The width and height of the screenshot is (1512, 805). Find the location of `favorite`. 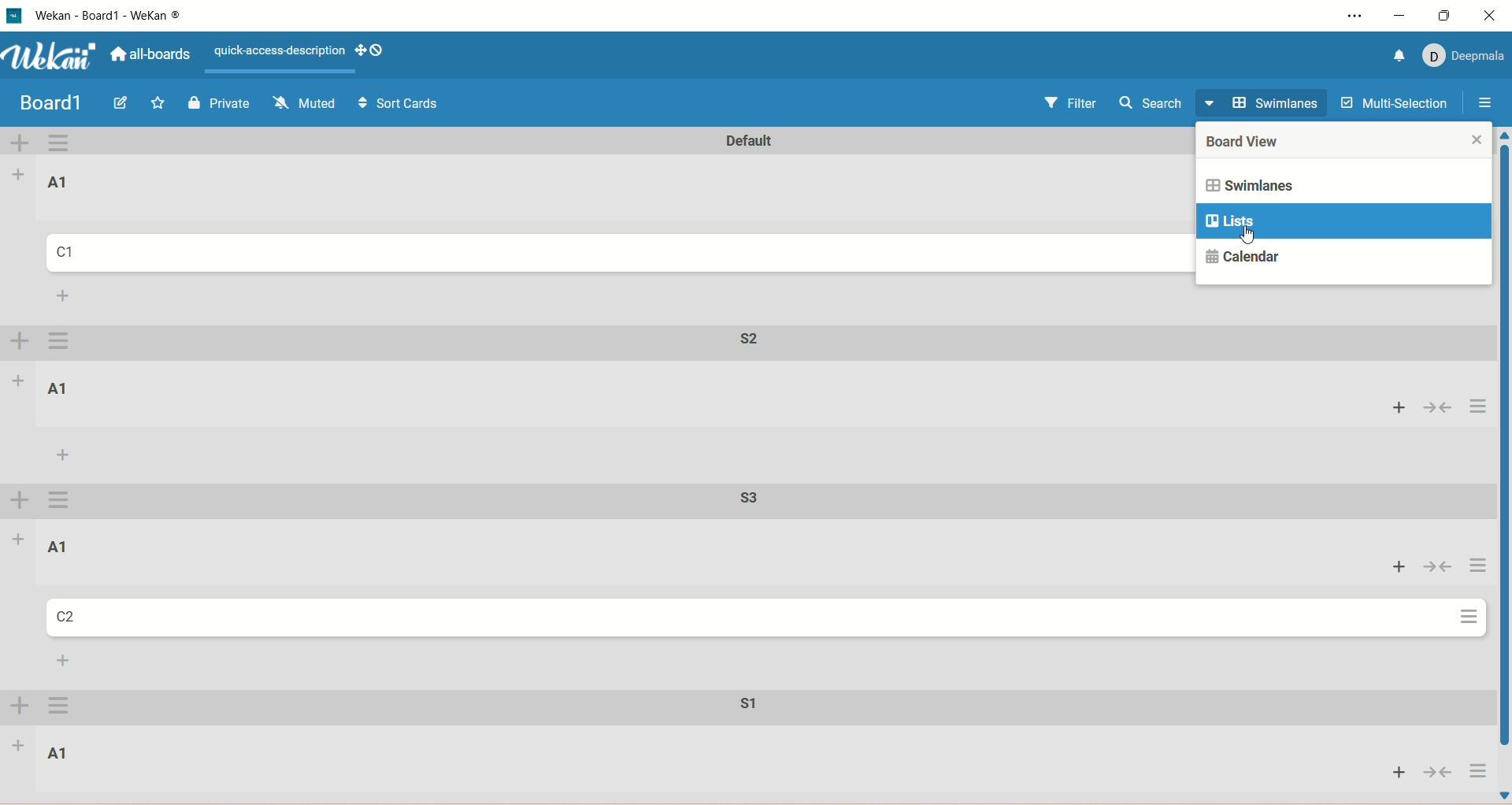

favorite is located at coordinates (158, 103).